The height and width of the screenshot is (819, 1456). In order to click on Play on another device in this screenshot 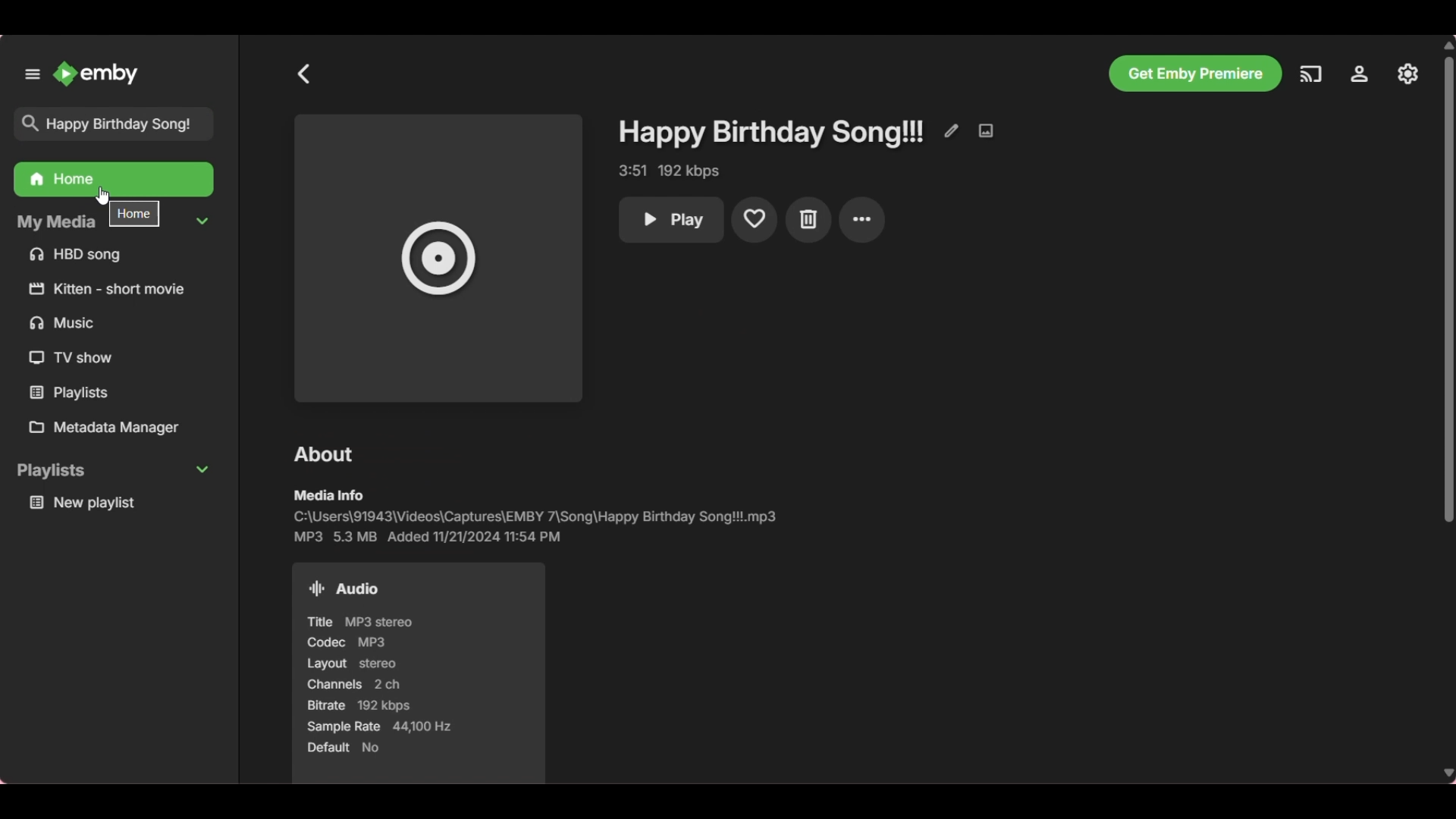, I will do `click(1310, 78)`.